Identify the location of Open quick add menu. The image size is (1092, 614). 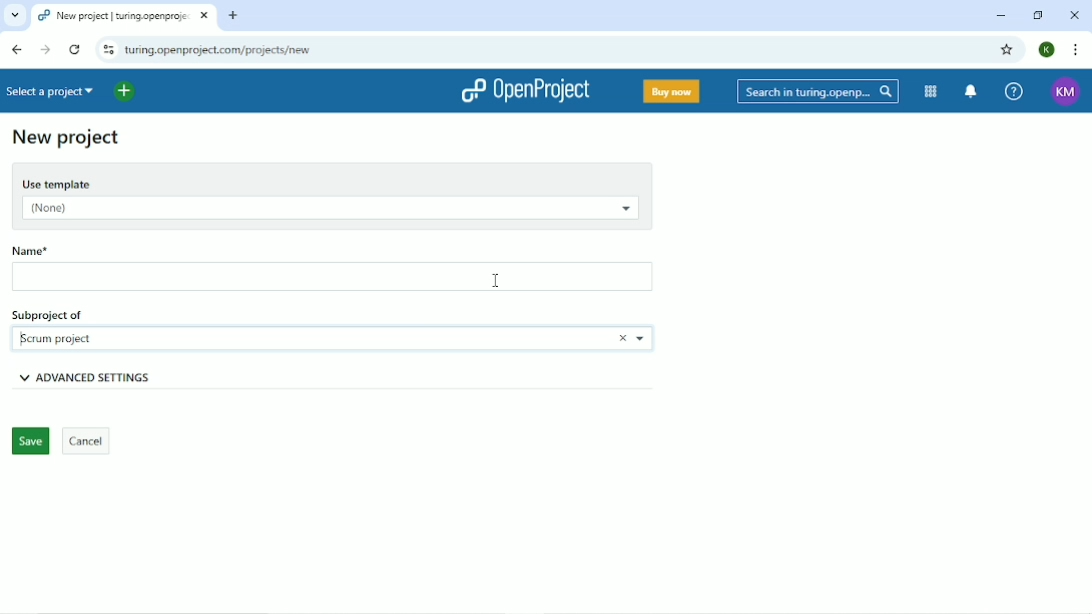
(126, 92).